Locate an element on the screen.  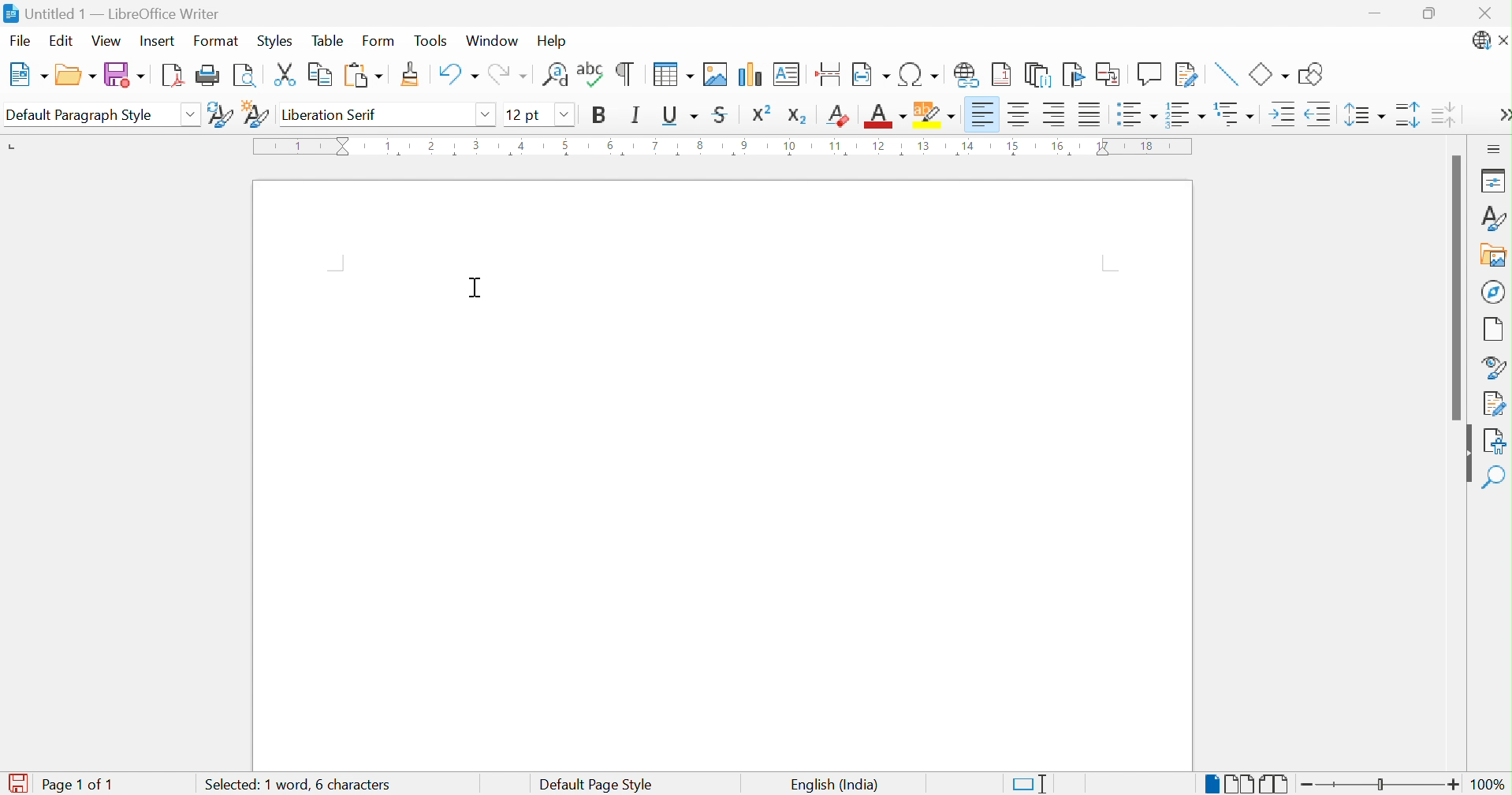
Insert Footnote is located at coordinates (1002, 75).